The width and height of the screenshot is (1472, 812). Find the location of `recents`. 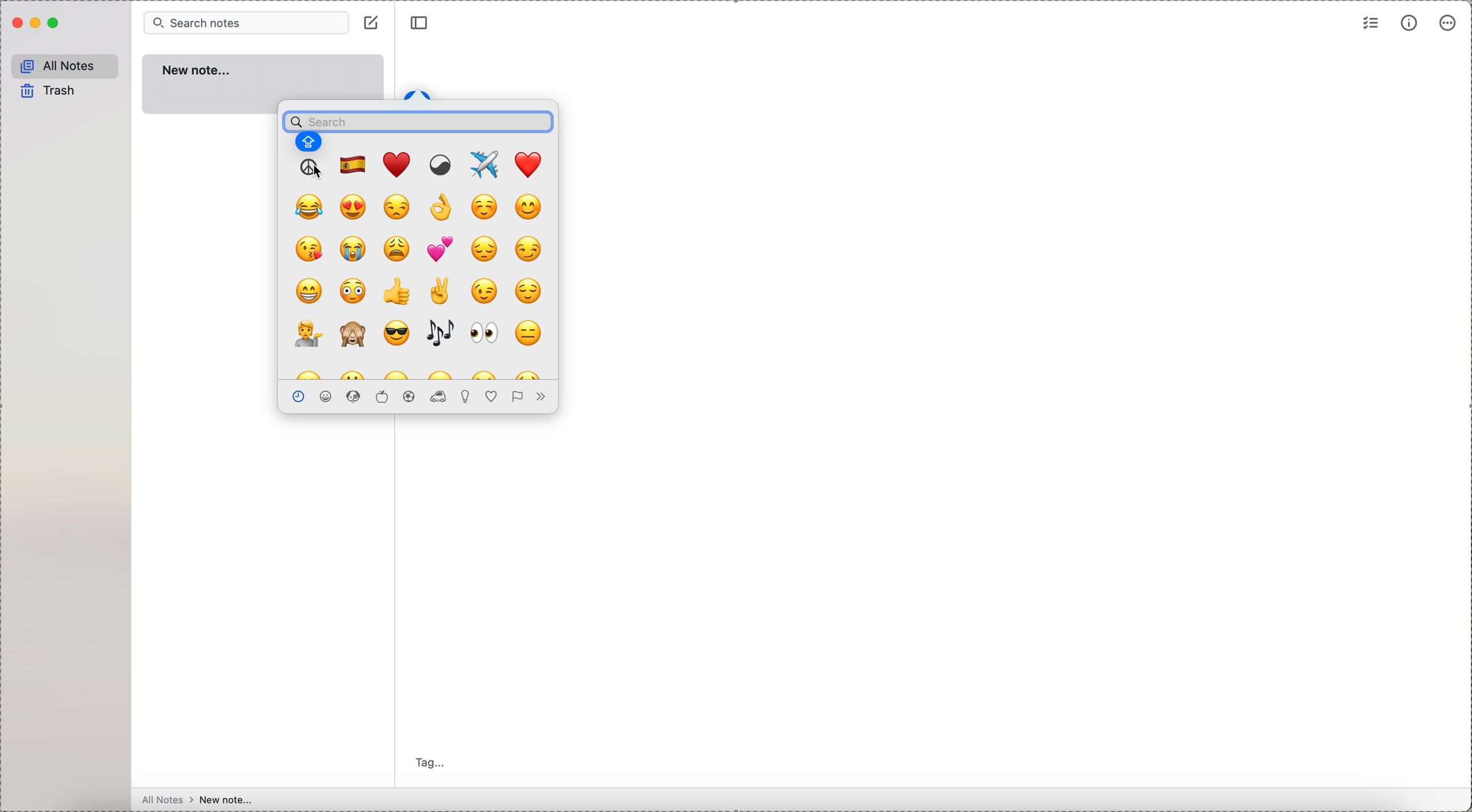

recents is located at coordinates (297, 395).